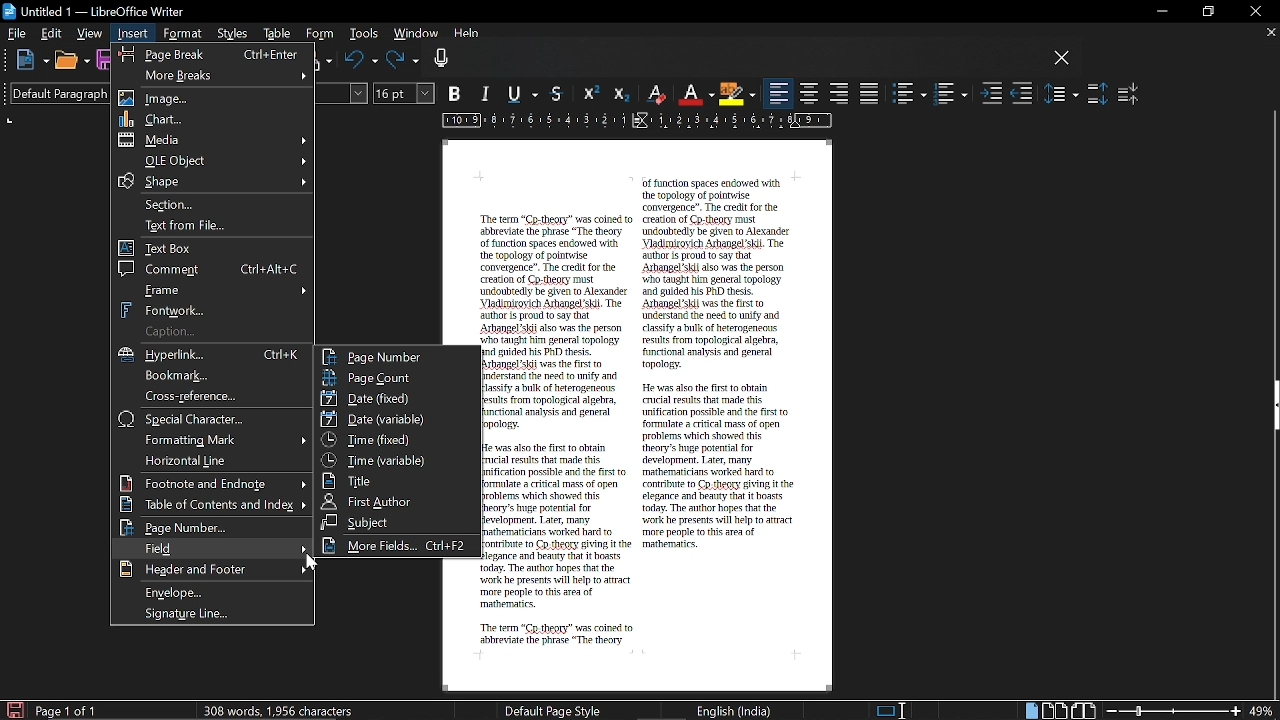 This screenshot has width=1280, height=720. What do you see at coordinates (214, 118) in the screenshot?
I see `Chart` at bounding box center [214, 118].